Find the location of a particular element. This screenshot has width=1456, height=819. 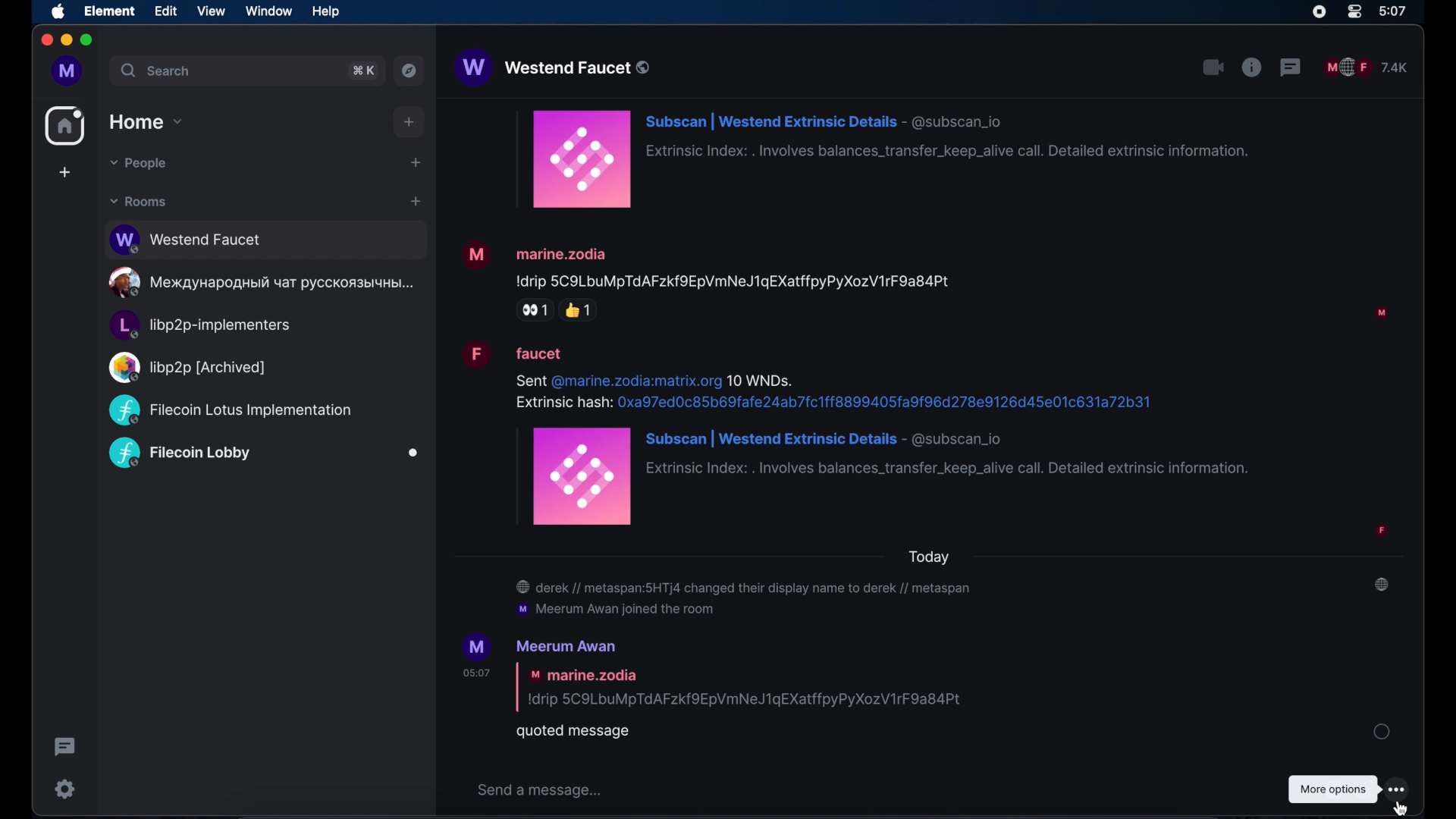

threads is located at coordinates (1291, 67).